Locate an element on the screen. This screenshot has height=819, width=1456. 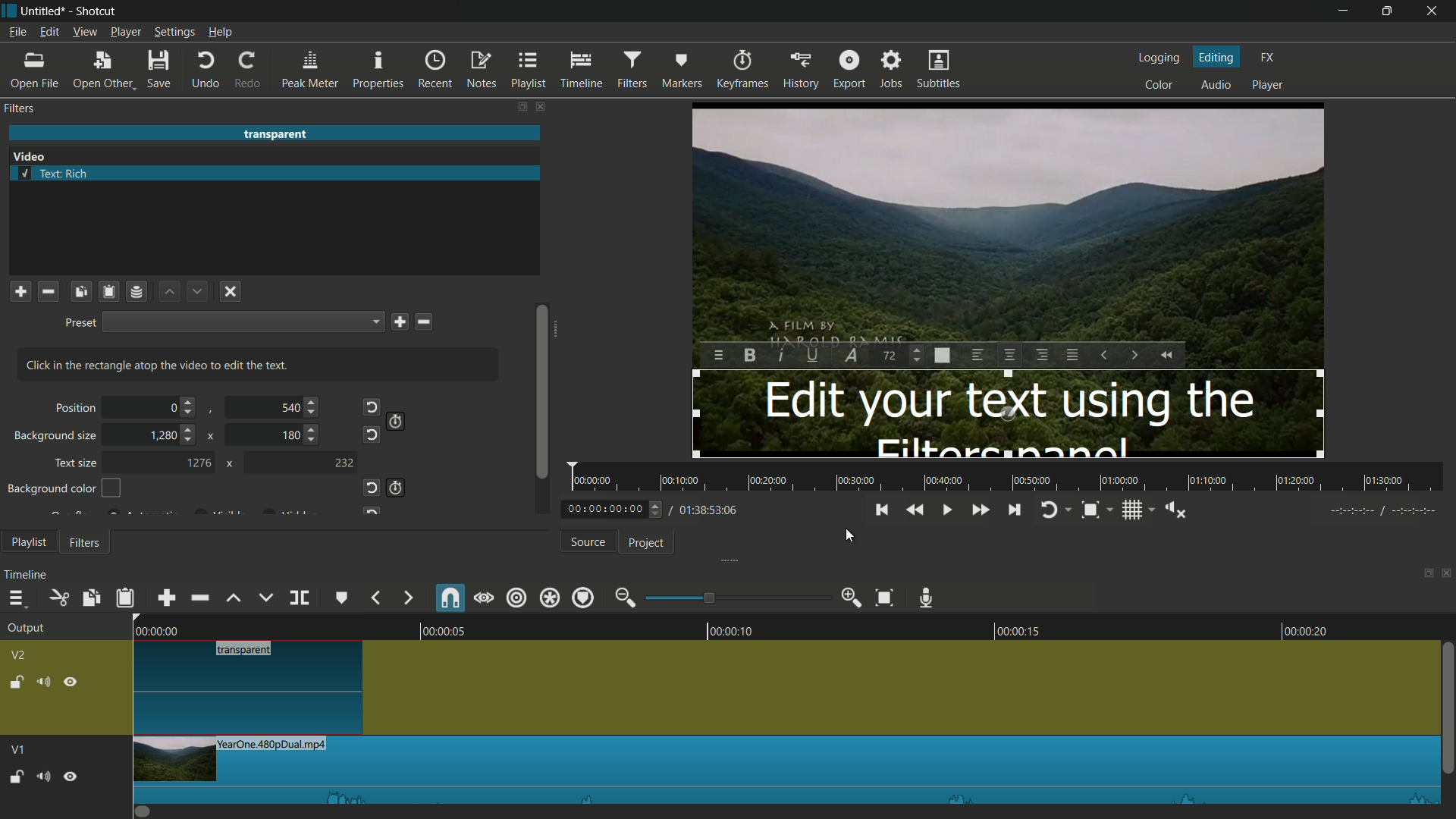
Clipboard is located at coordinates (111, 292).